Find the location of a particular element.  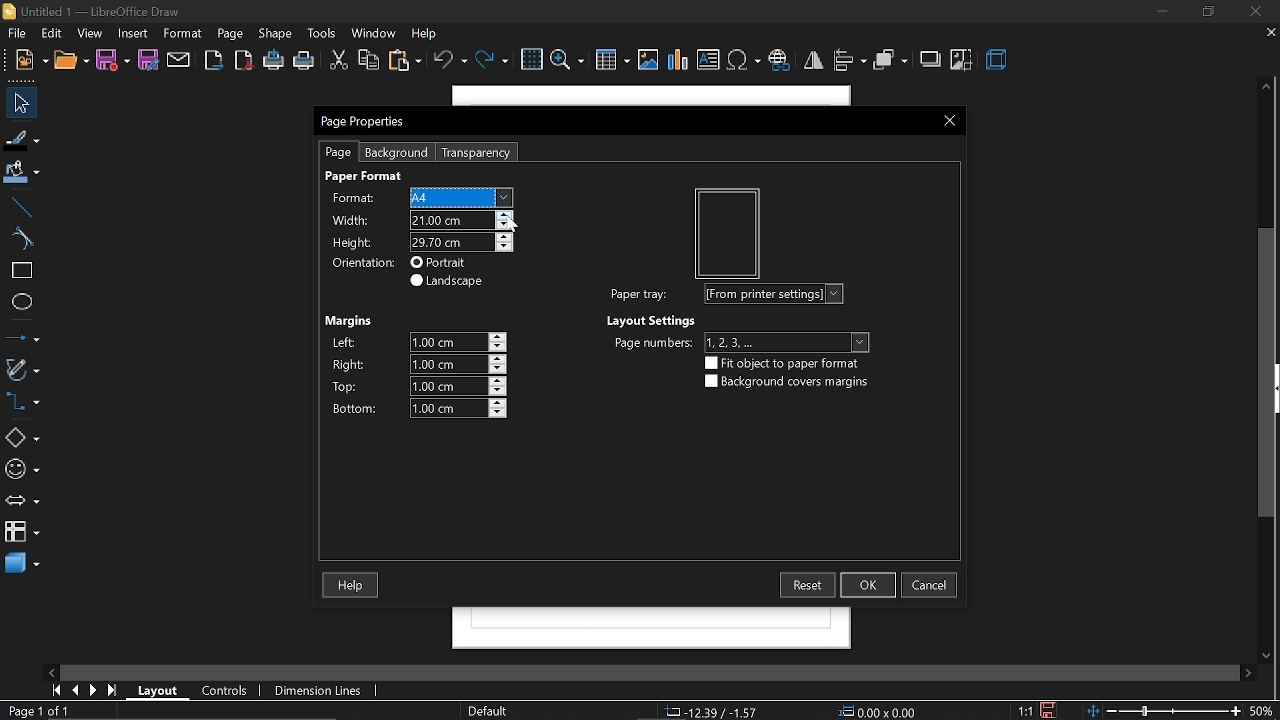

Margines is located at coordinates (346, 319).